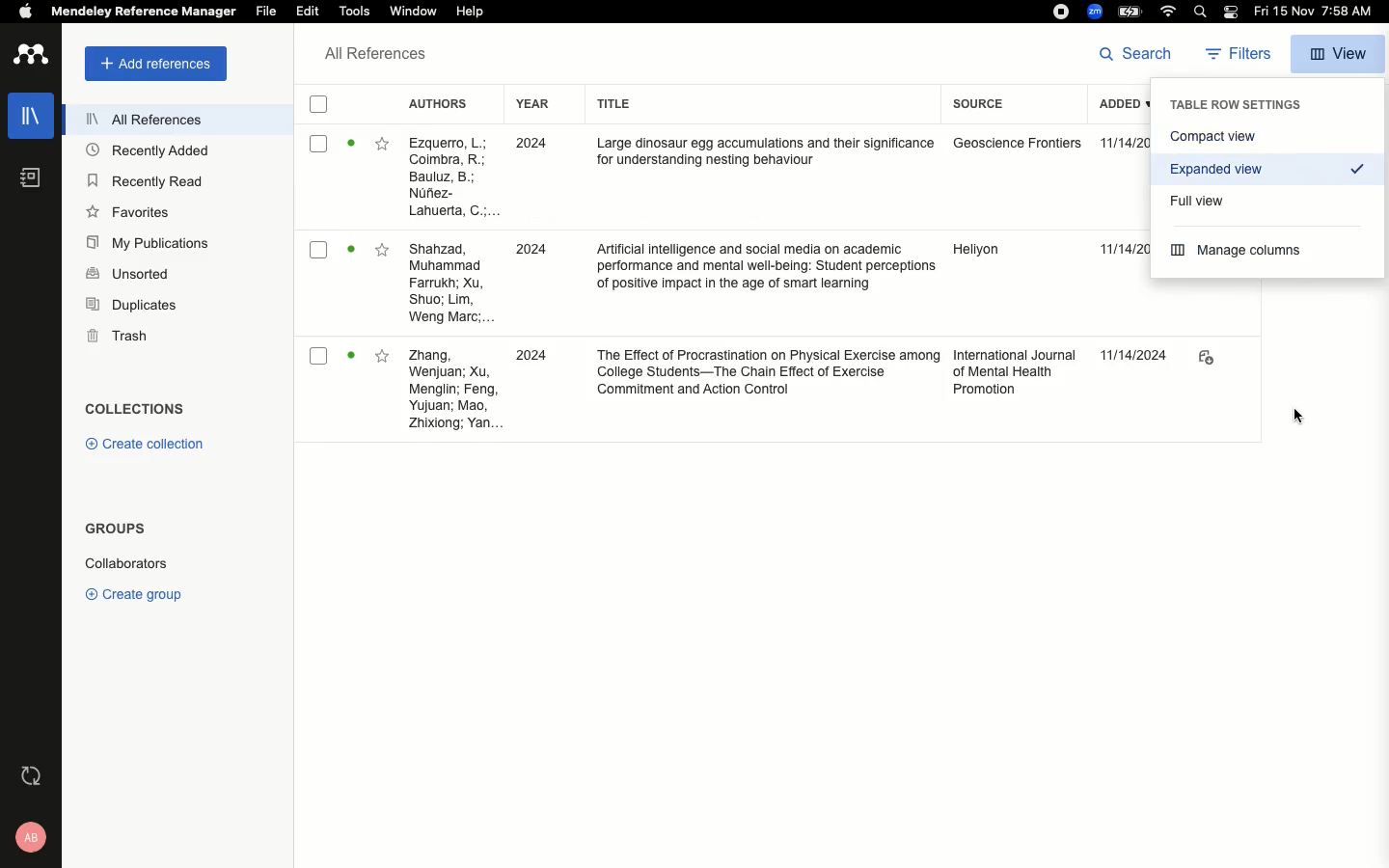 The width and height of the screenshot is (1389, 868). I want to click on Notification, so click(1230, 14).